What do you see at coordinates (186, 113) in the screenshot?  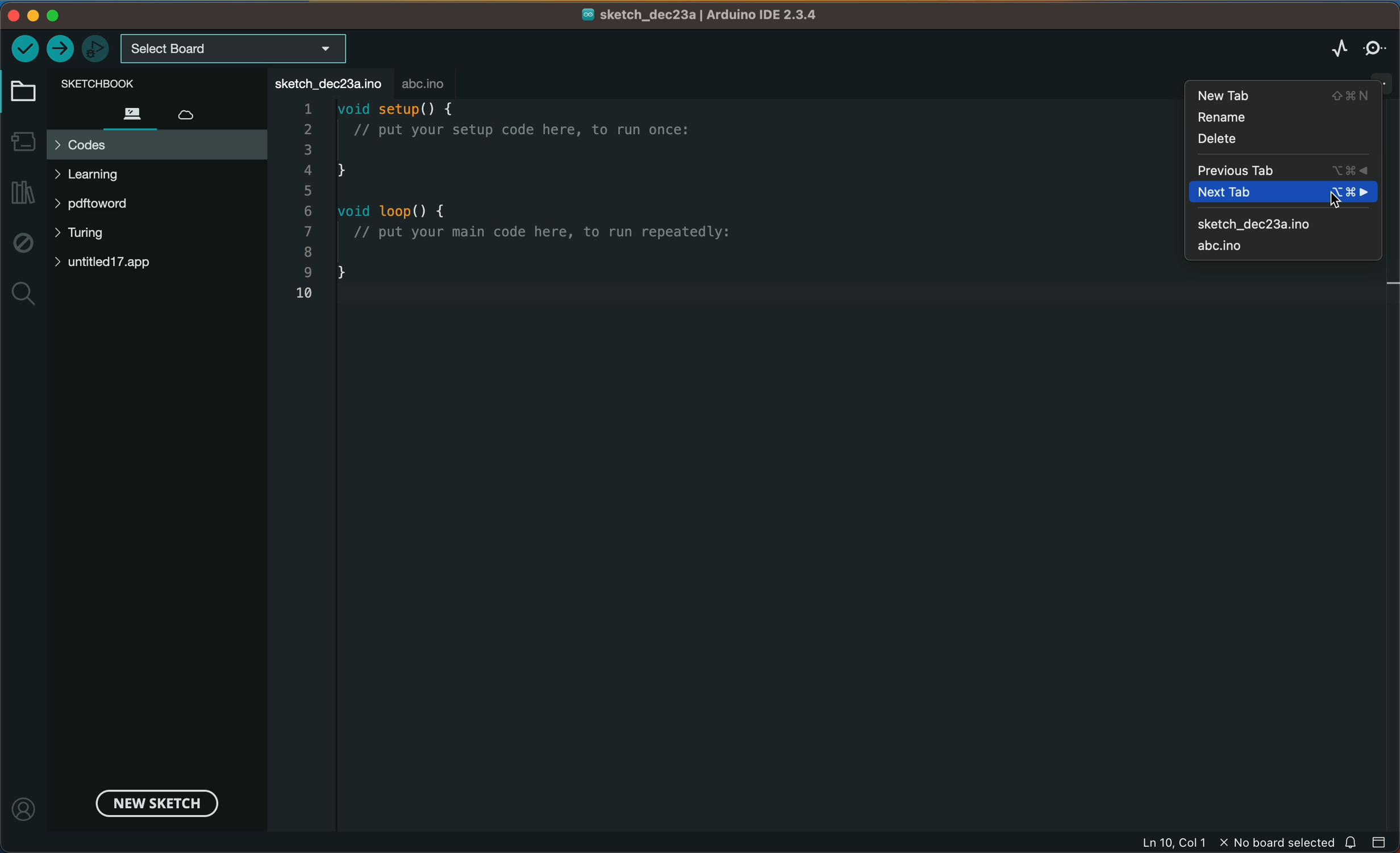 I see `cloud` at bounding box center [186, 113].